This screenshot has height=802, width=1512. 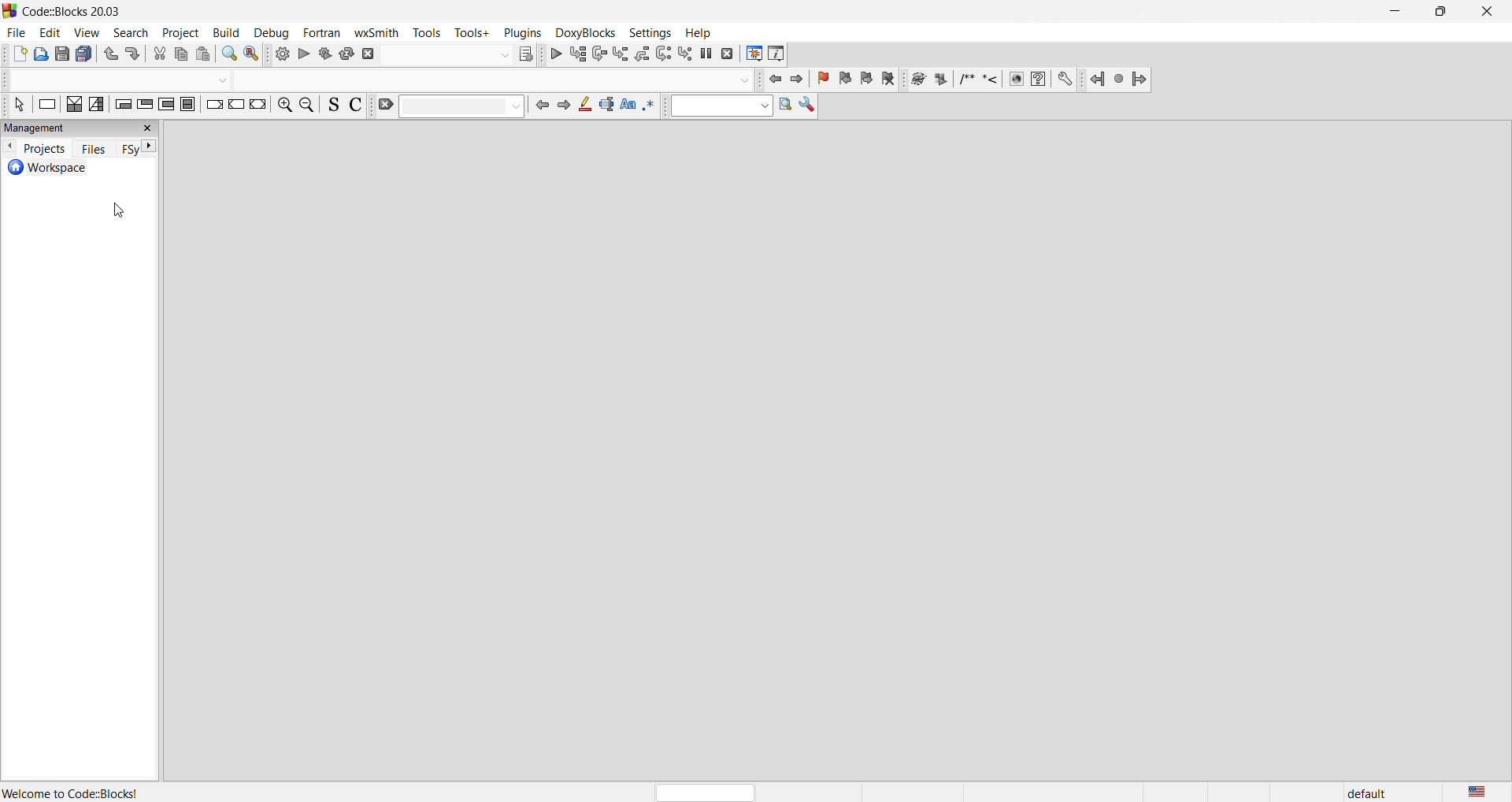 What do you see at coordinates (607, 104) in the screenshot?
I see `selected text` at bounding box center [607, 104].